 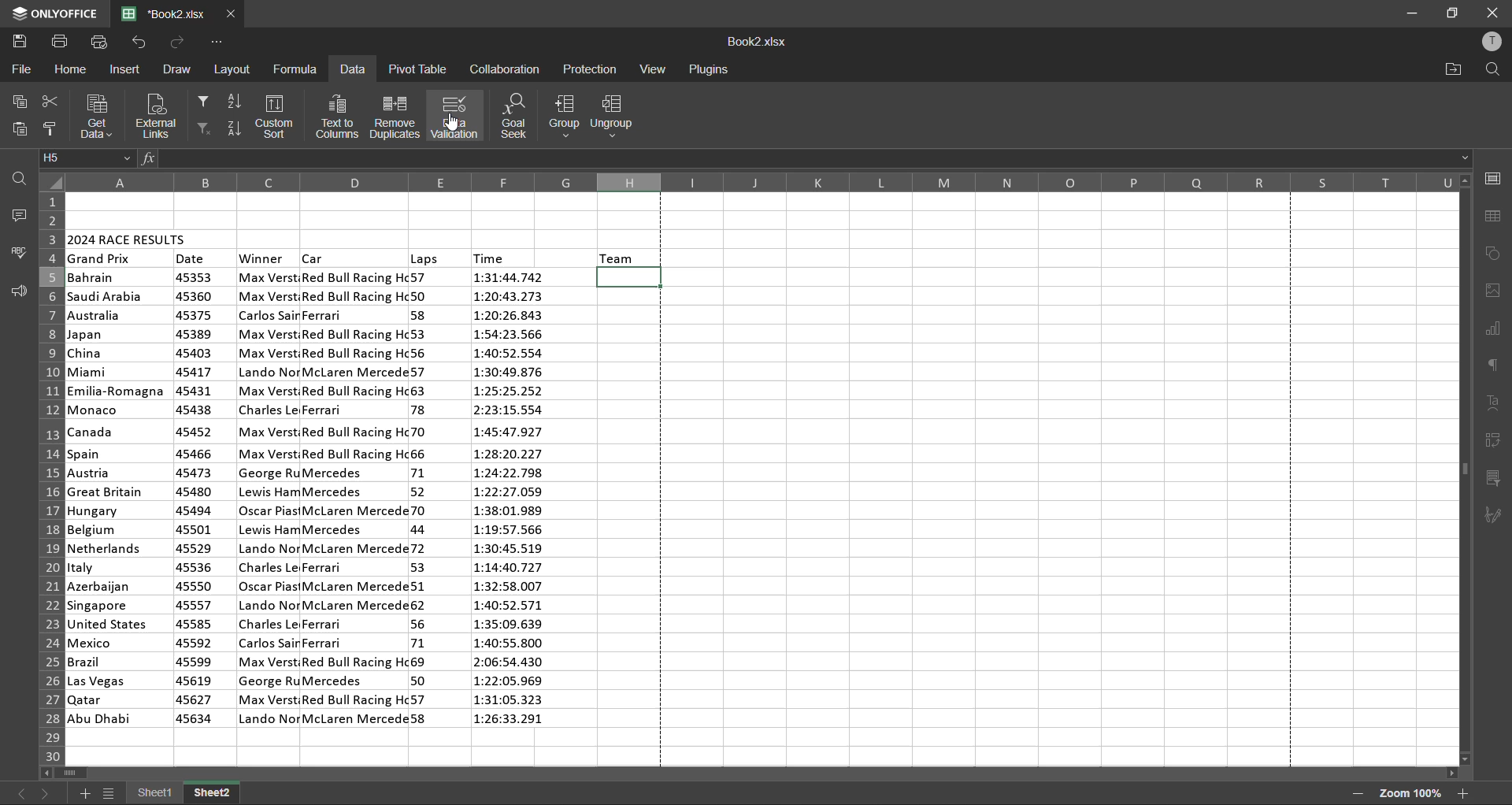 What do you see at coordinates (22, 178) in the screenshot?
I see `find` at bounding box center [22, 178].